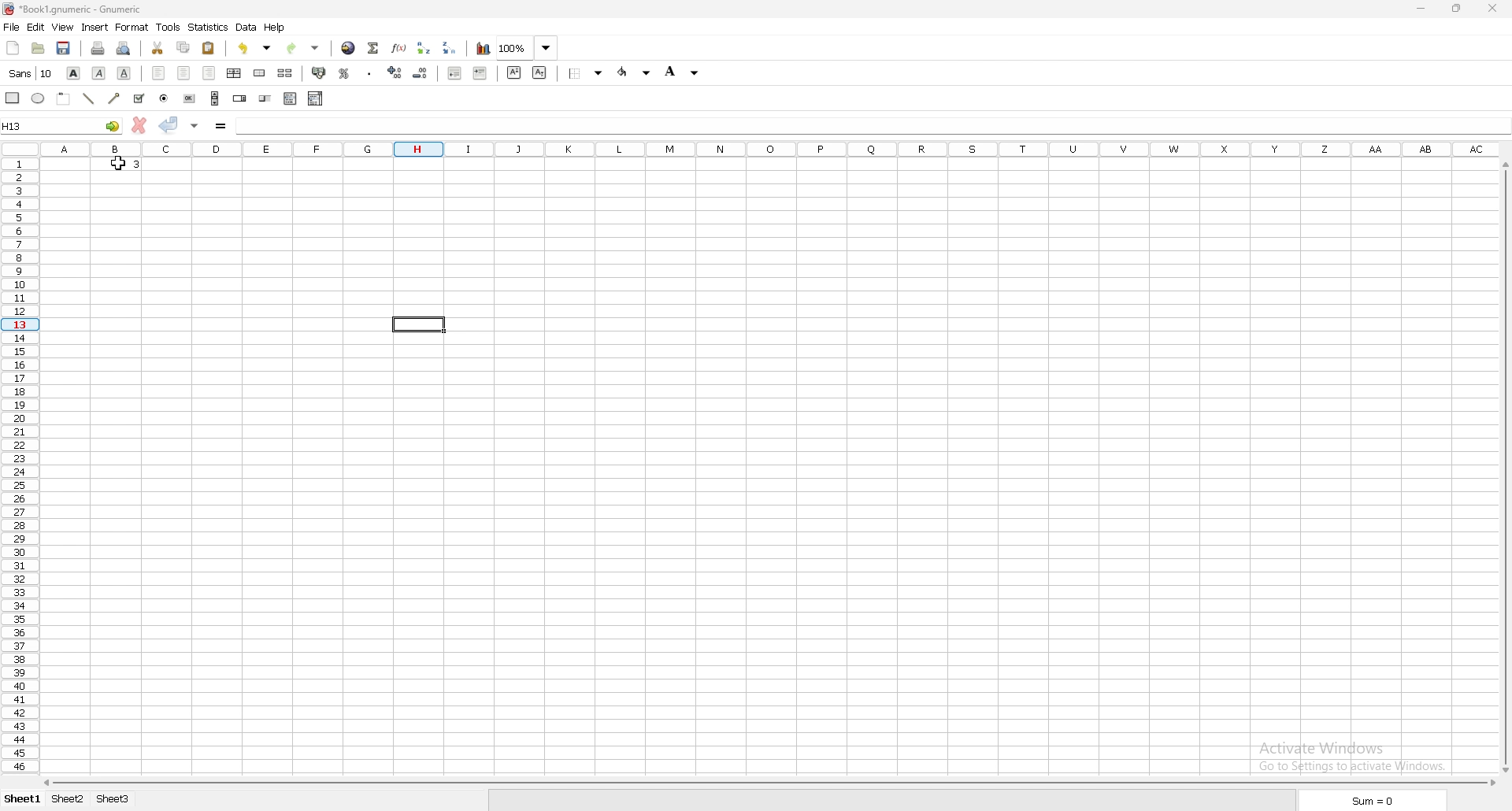 The width and height of the screenshot is (1512, 811). I want to click on cursor, so click(113, 163).